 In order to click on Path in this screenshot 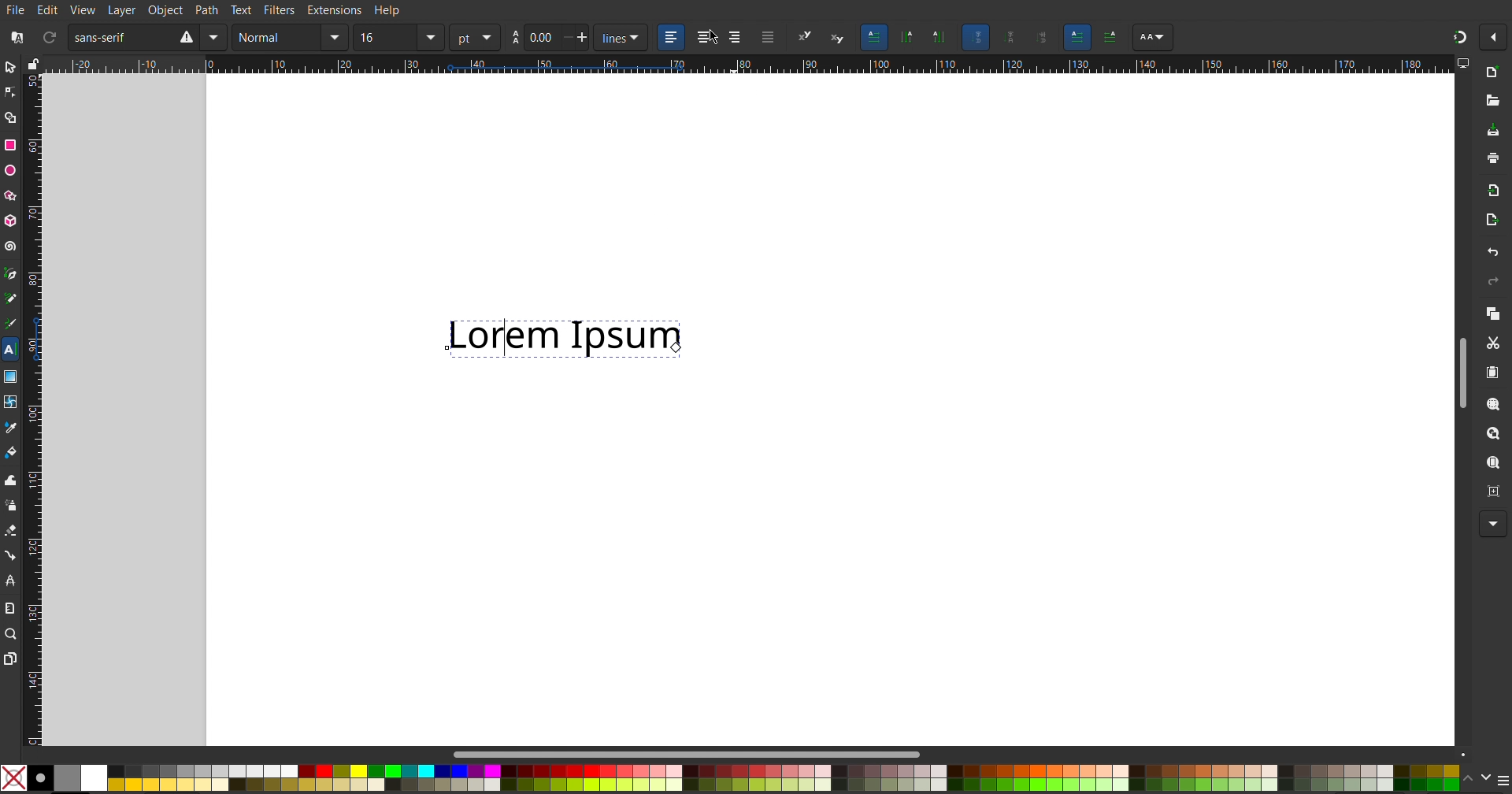, I will do `click(206, 11)`.